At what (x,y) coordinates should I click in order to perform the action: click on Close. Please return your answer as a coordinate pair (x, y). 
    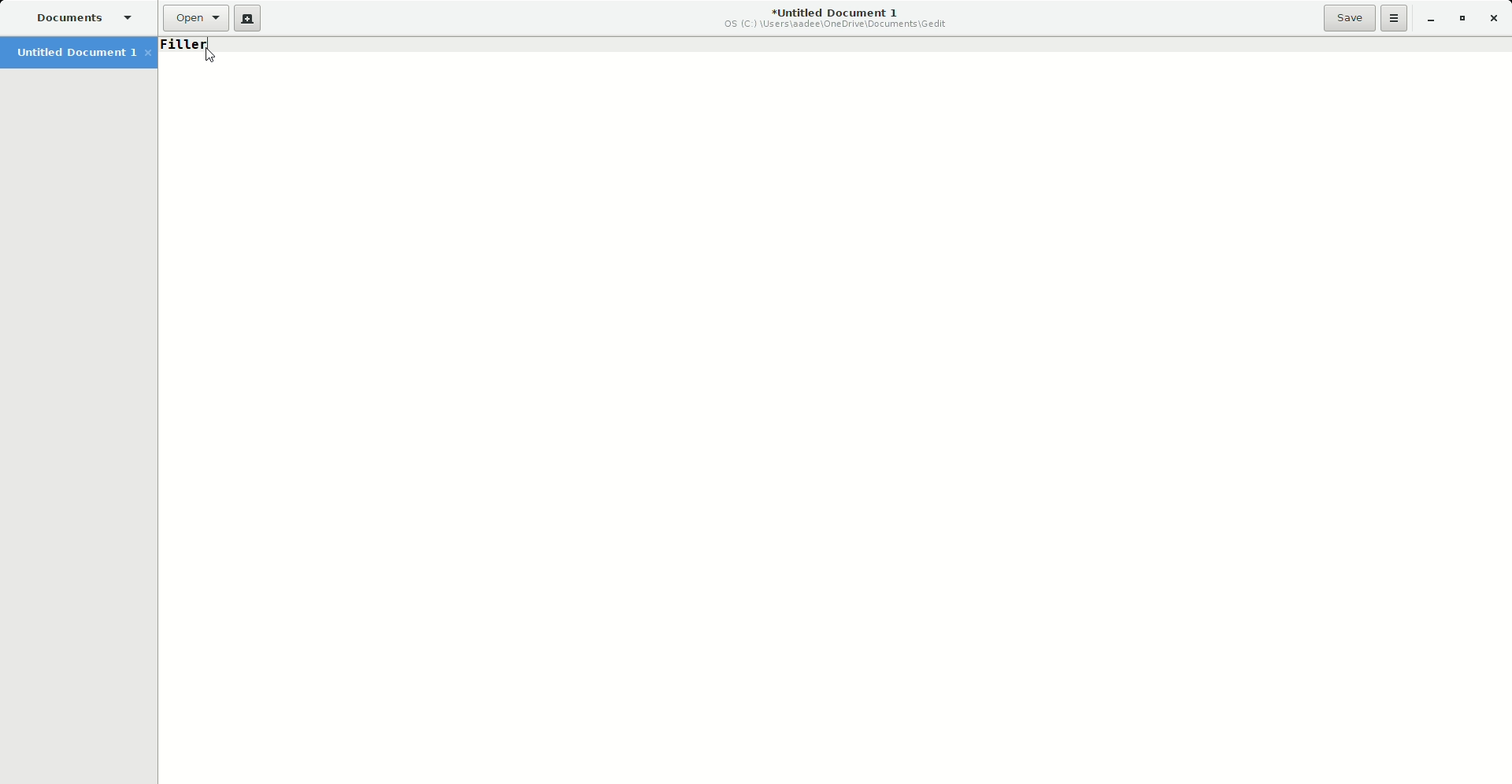
    Looking at the image, I should click on (1496, 19).